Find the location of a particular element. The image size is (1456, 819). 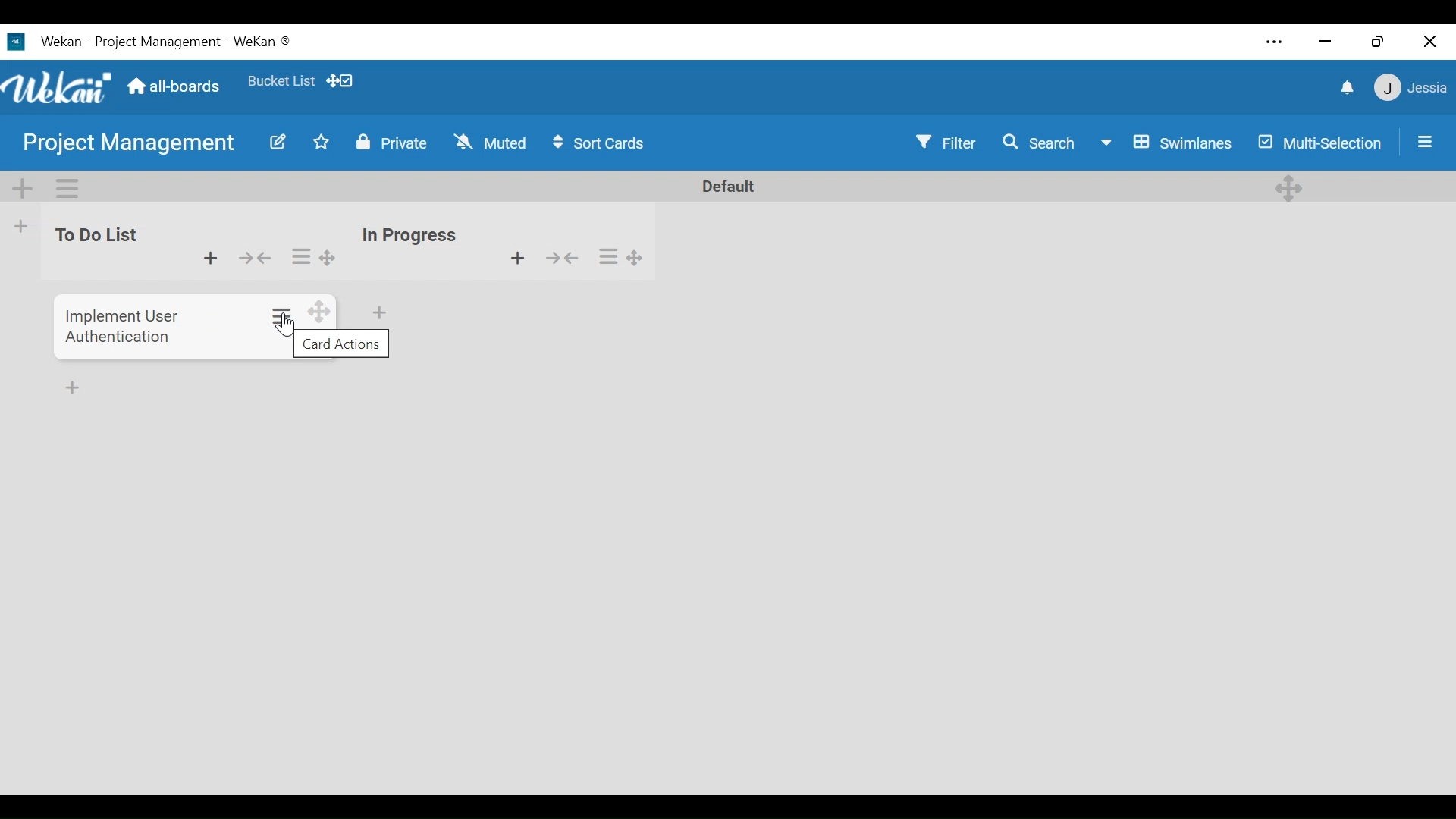

Wekan - Project Management - WeKan ® is located at coordinates (169, 42).